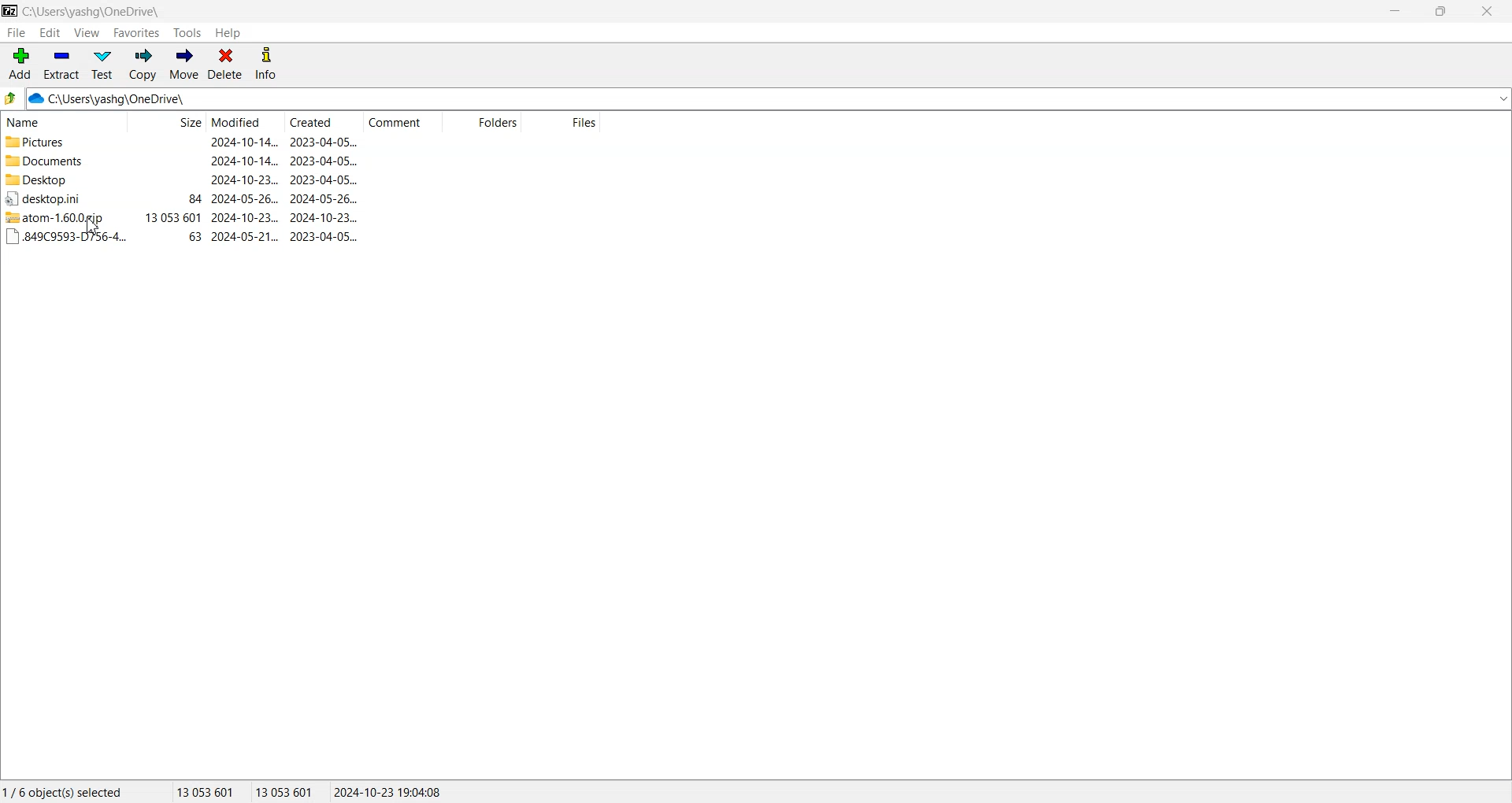 The image size is (1512, 803). I want to click on Dropdown box for path address, so click(1502, 99).